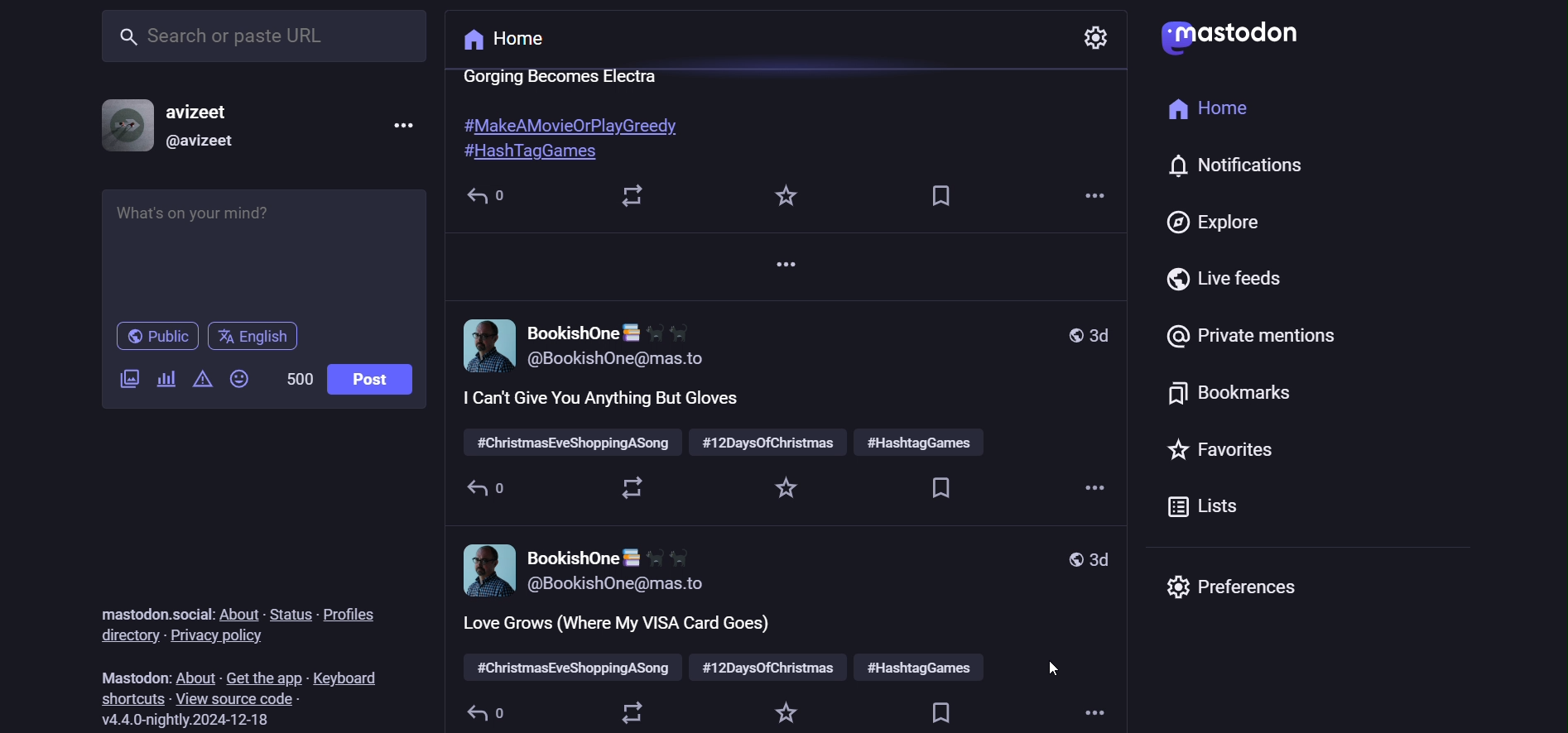 This screenshot has width=1568, height=733. I want to click on lists, so click(1218, 506).